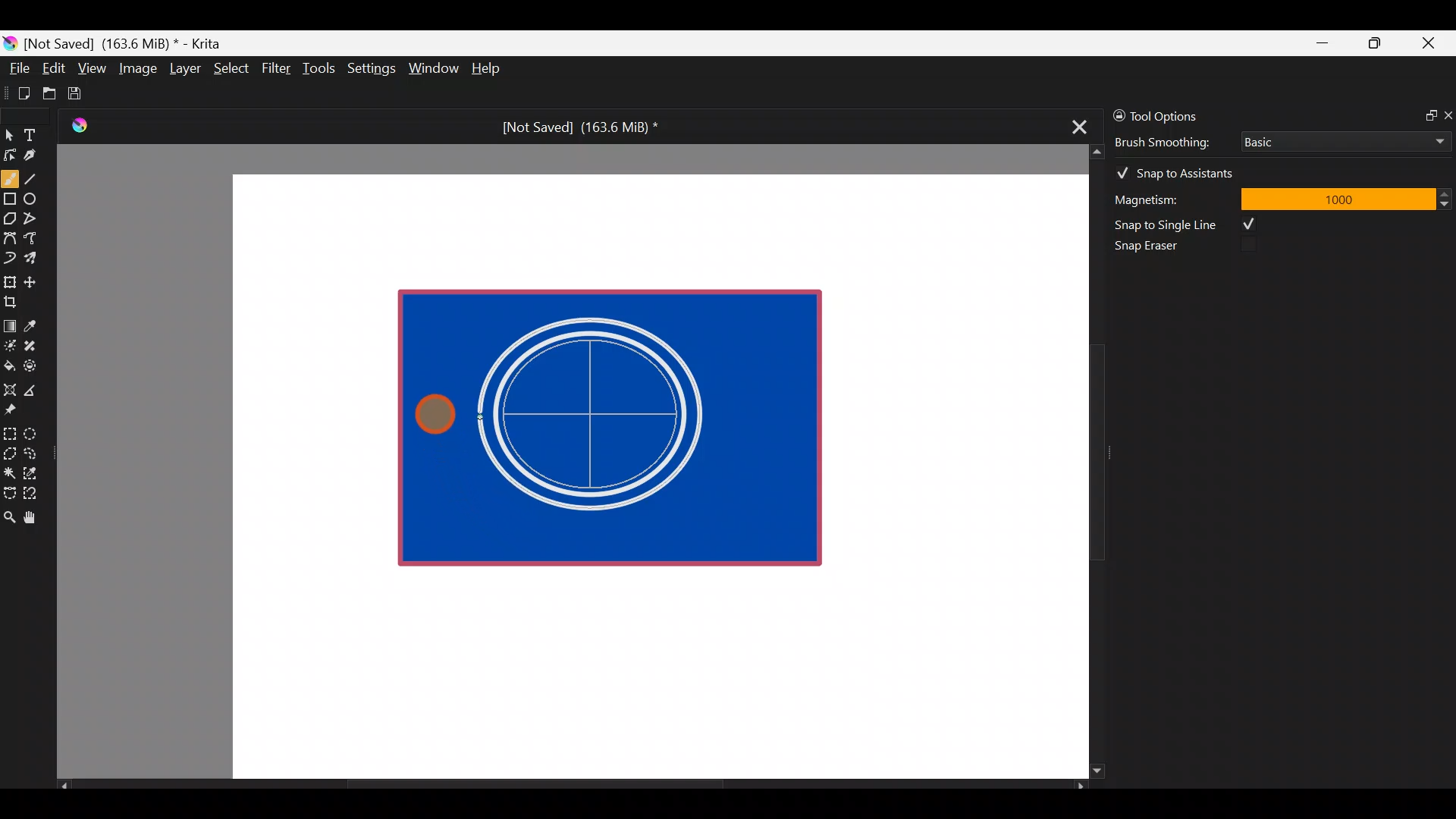 The image size is (1456, 819). I want to click on Magnetism, so click(1168, 197).